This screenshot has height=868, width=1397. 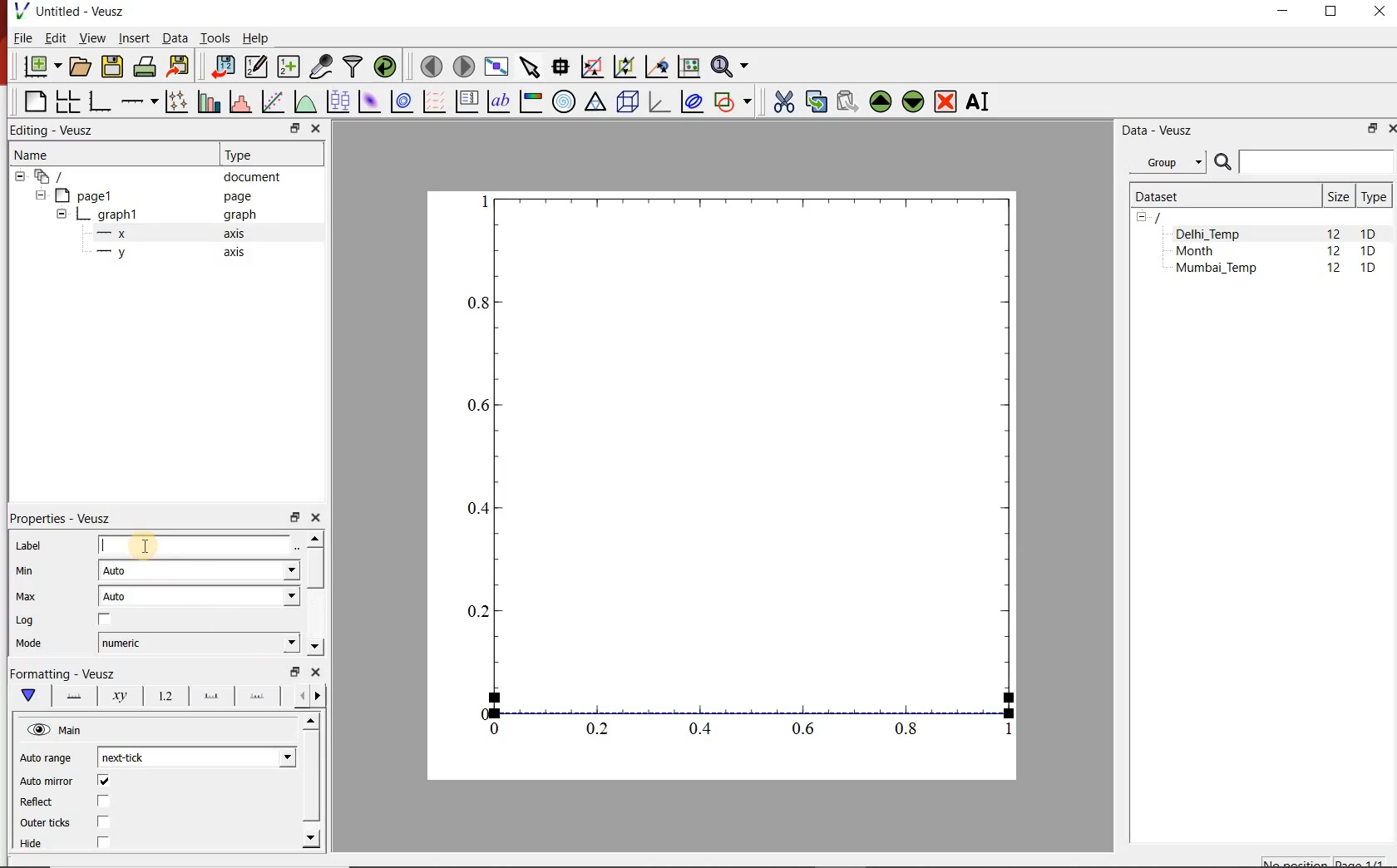 I want to click on Axis label, so click(x=116, y=696).